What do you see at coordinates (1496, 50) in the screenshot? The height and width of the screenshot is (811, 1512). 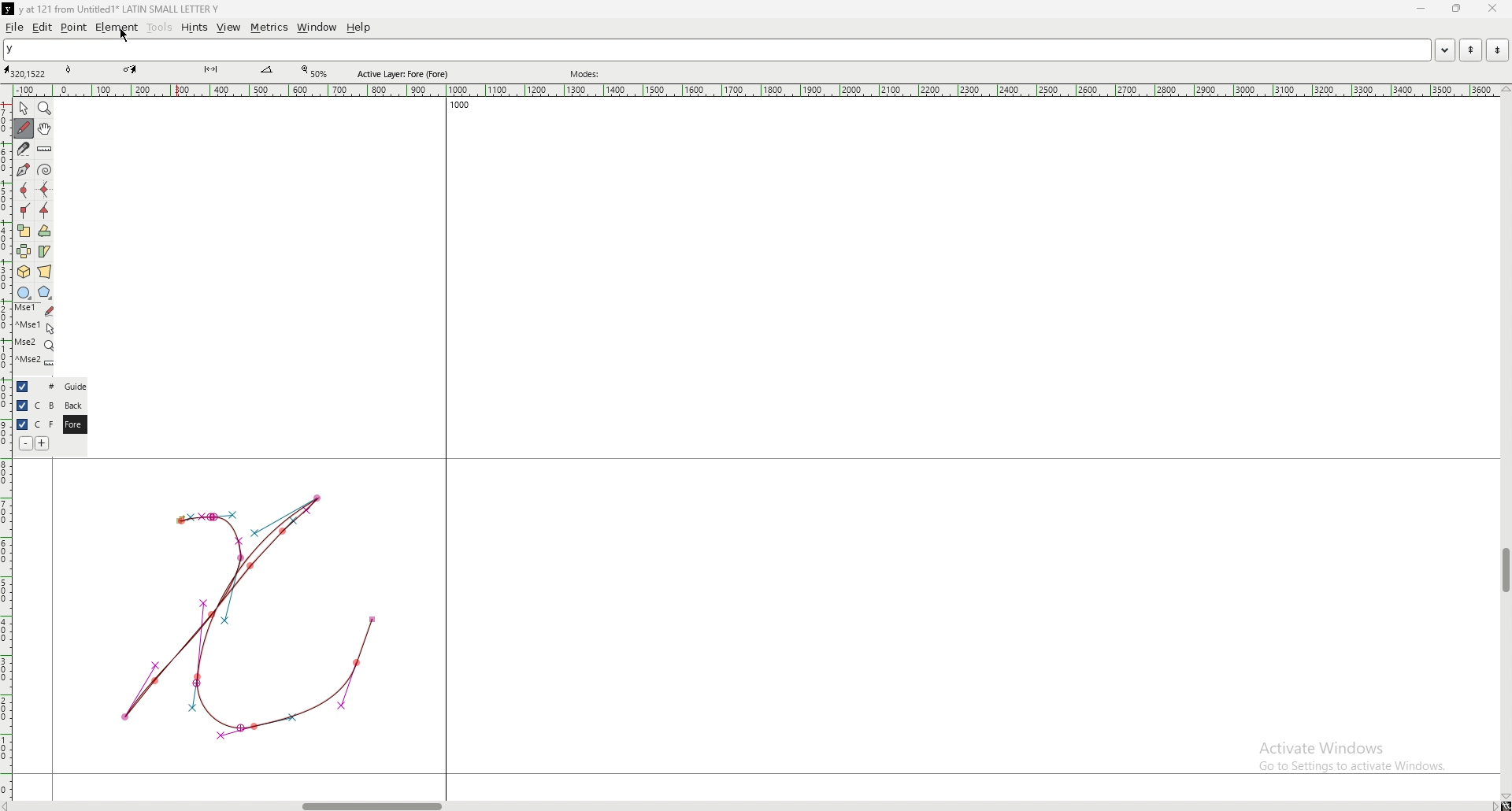 I see `next word` at bounding box center [1496, 50].